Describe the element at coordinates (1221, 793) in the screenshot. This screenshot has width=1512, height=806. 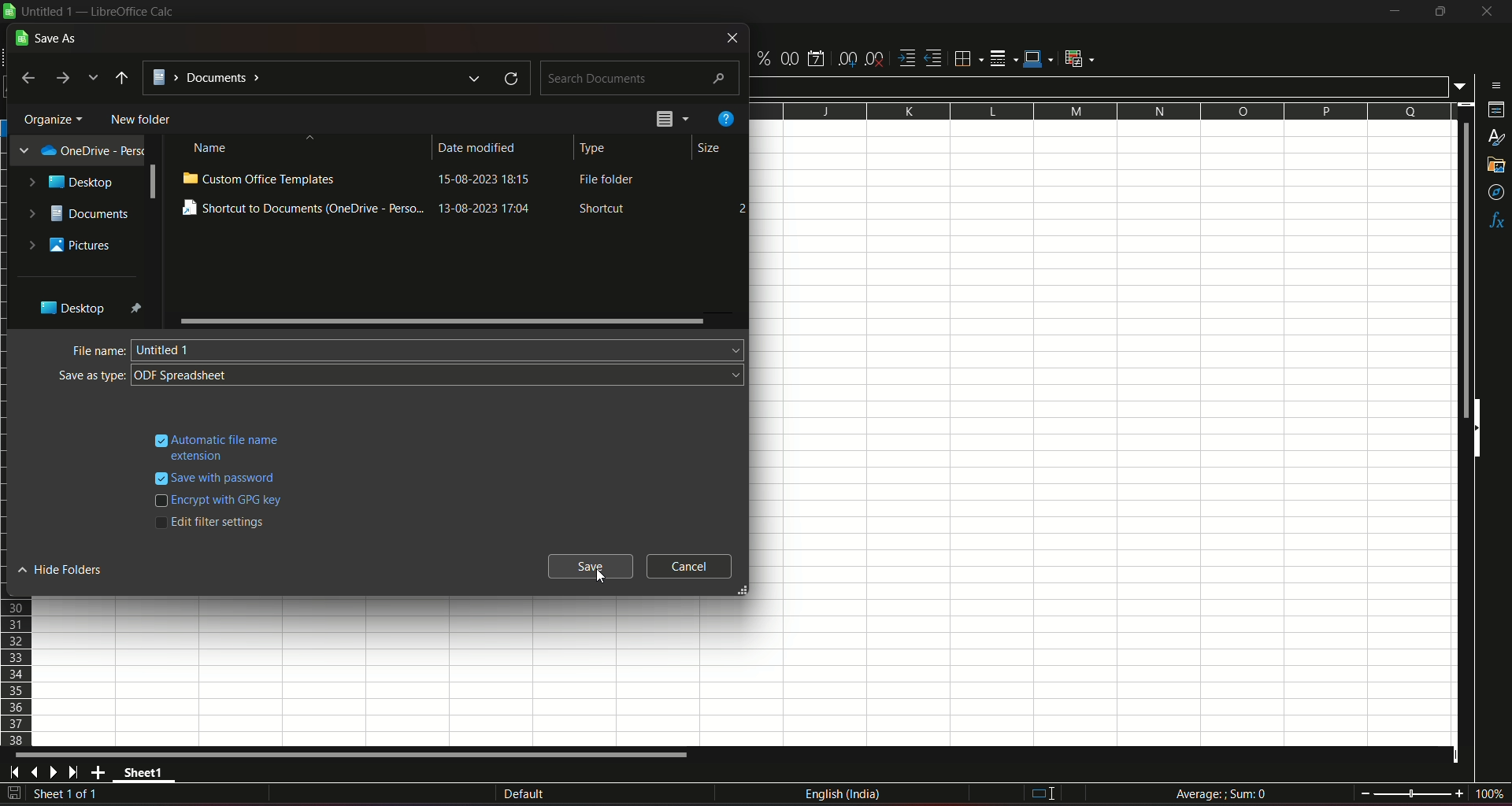
I see `formula` at that location.